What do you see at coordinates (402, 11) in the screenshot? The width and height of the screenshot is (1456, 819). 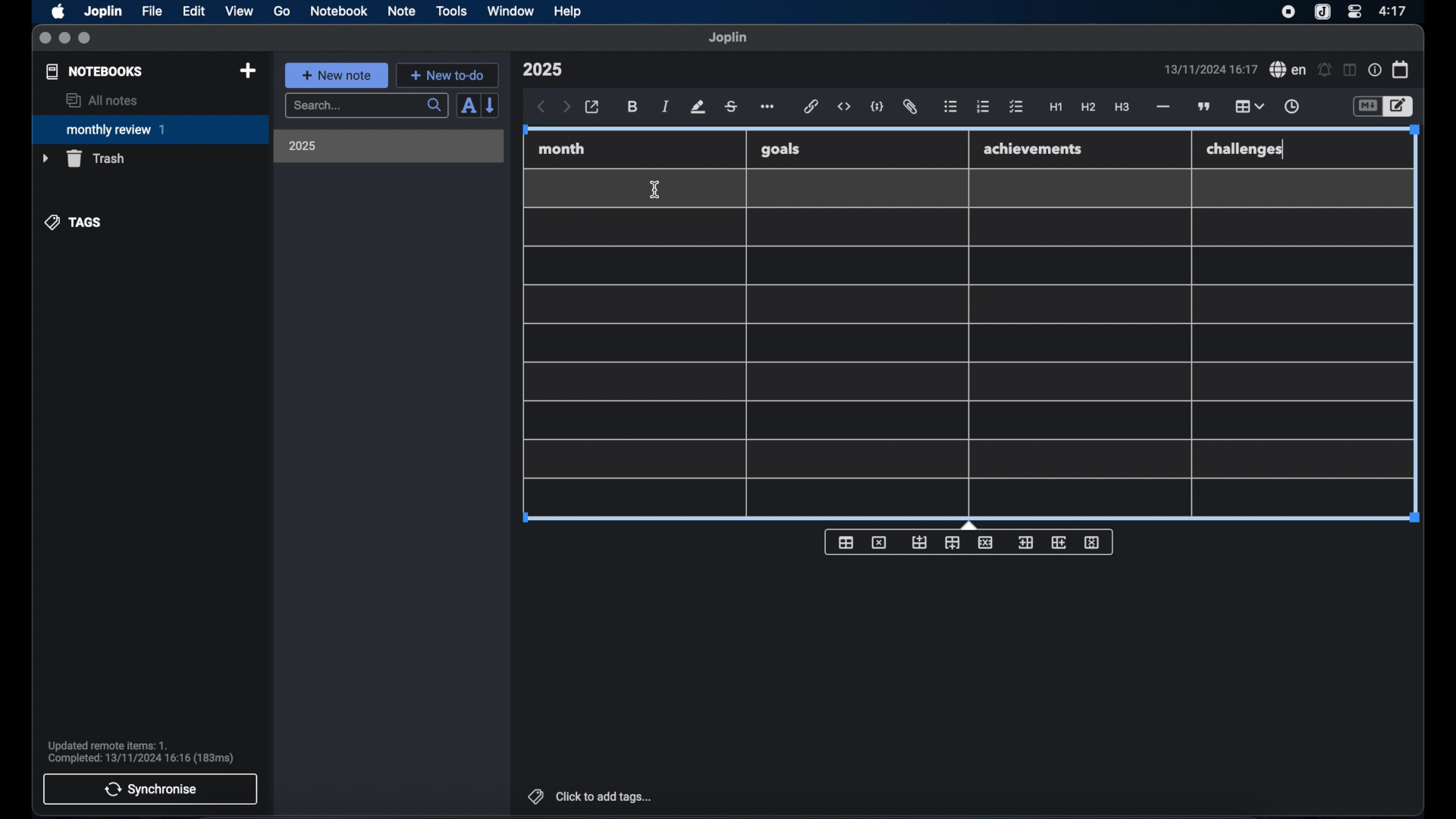 I see `note` at bounding box center [402, 11].